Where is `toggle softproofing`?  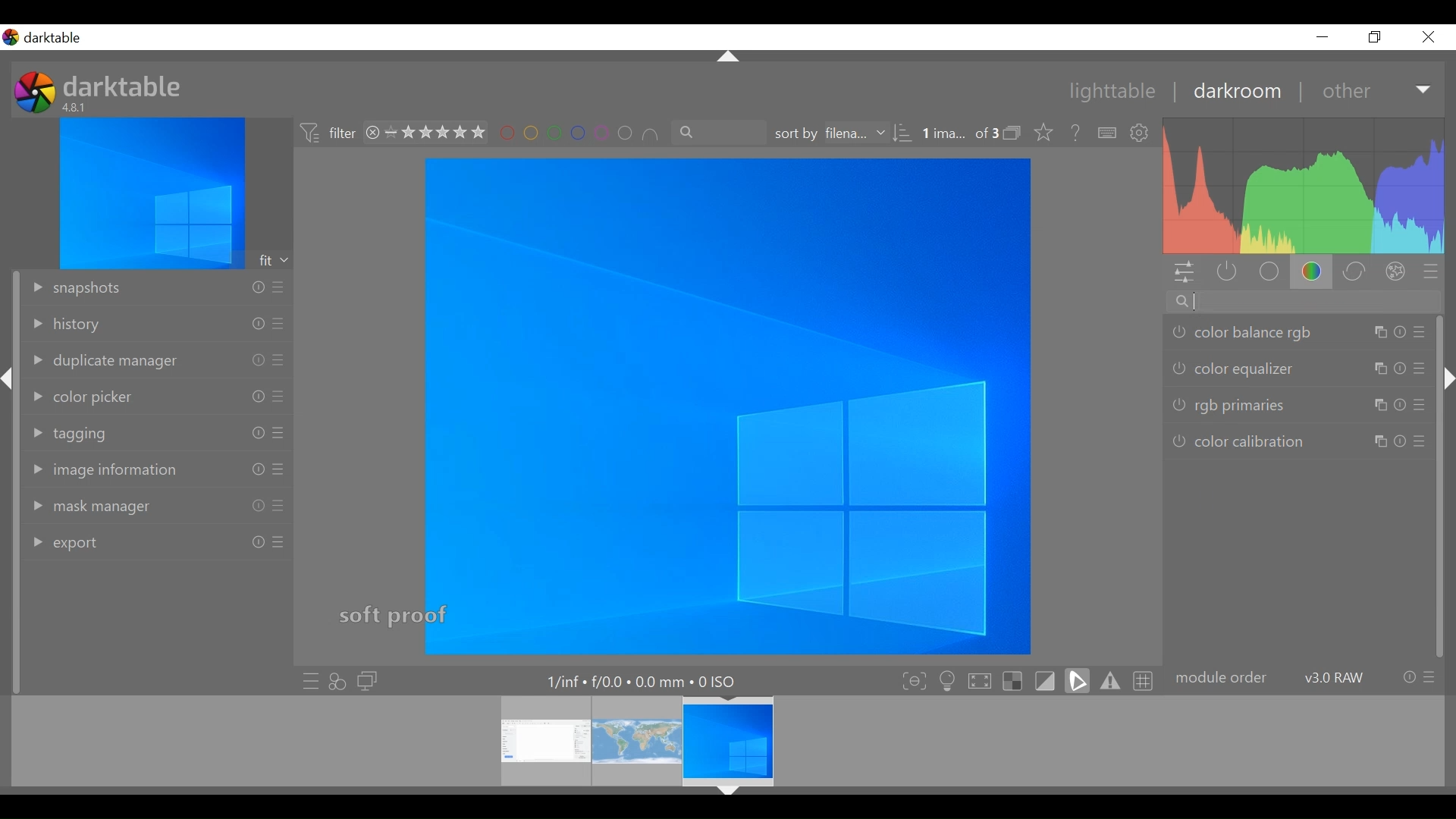 toggle softproofing is located at coordinates (1045, 679).